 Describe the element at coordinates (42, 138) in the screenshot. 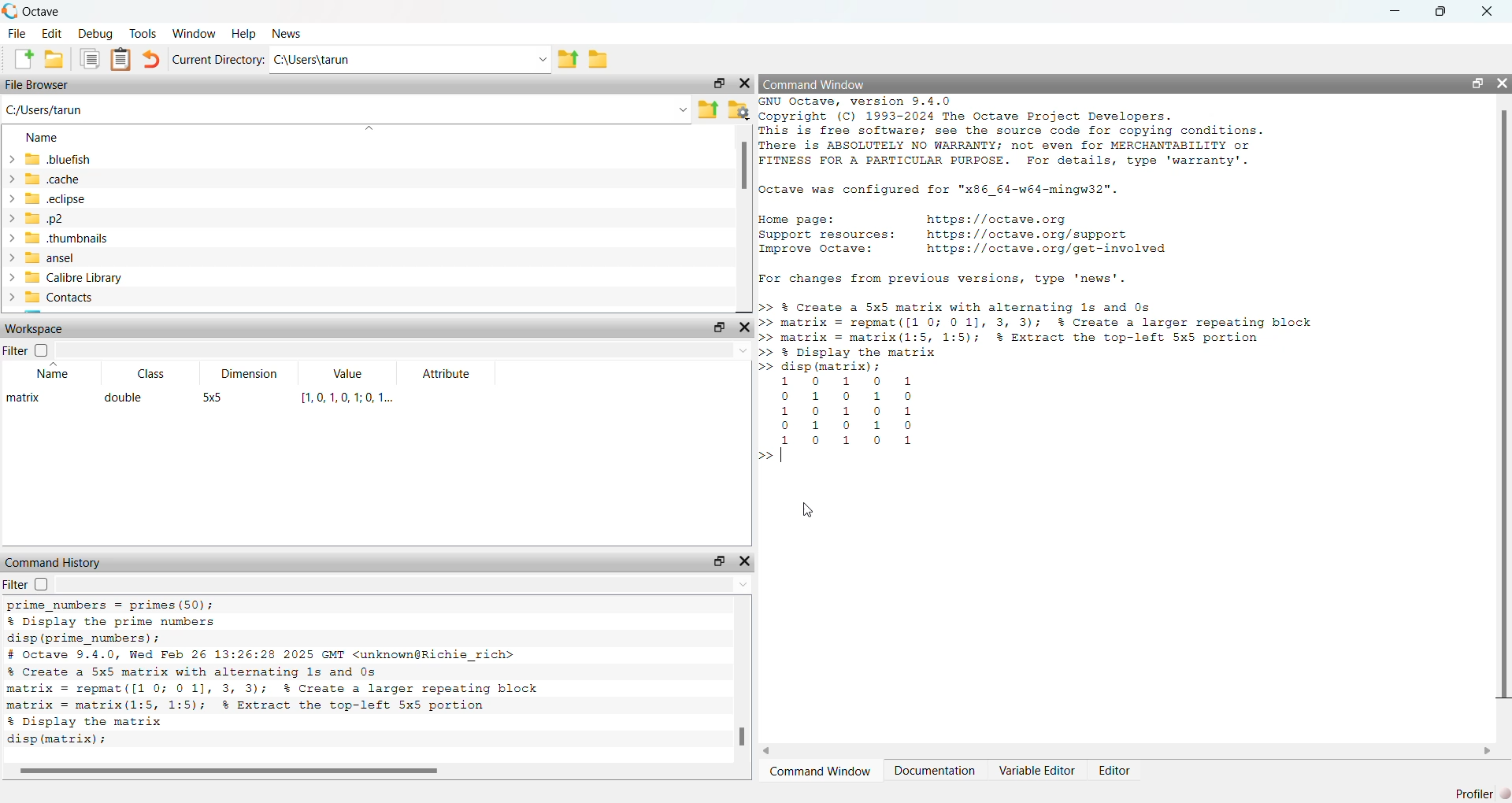

I see `Name` at that location.